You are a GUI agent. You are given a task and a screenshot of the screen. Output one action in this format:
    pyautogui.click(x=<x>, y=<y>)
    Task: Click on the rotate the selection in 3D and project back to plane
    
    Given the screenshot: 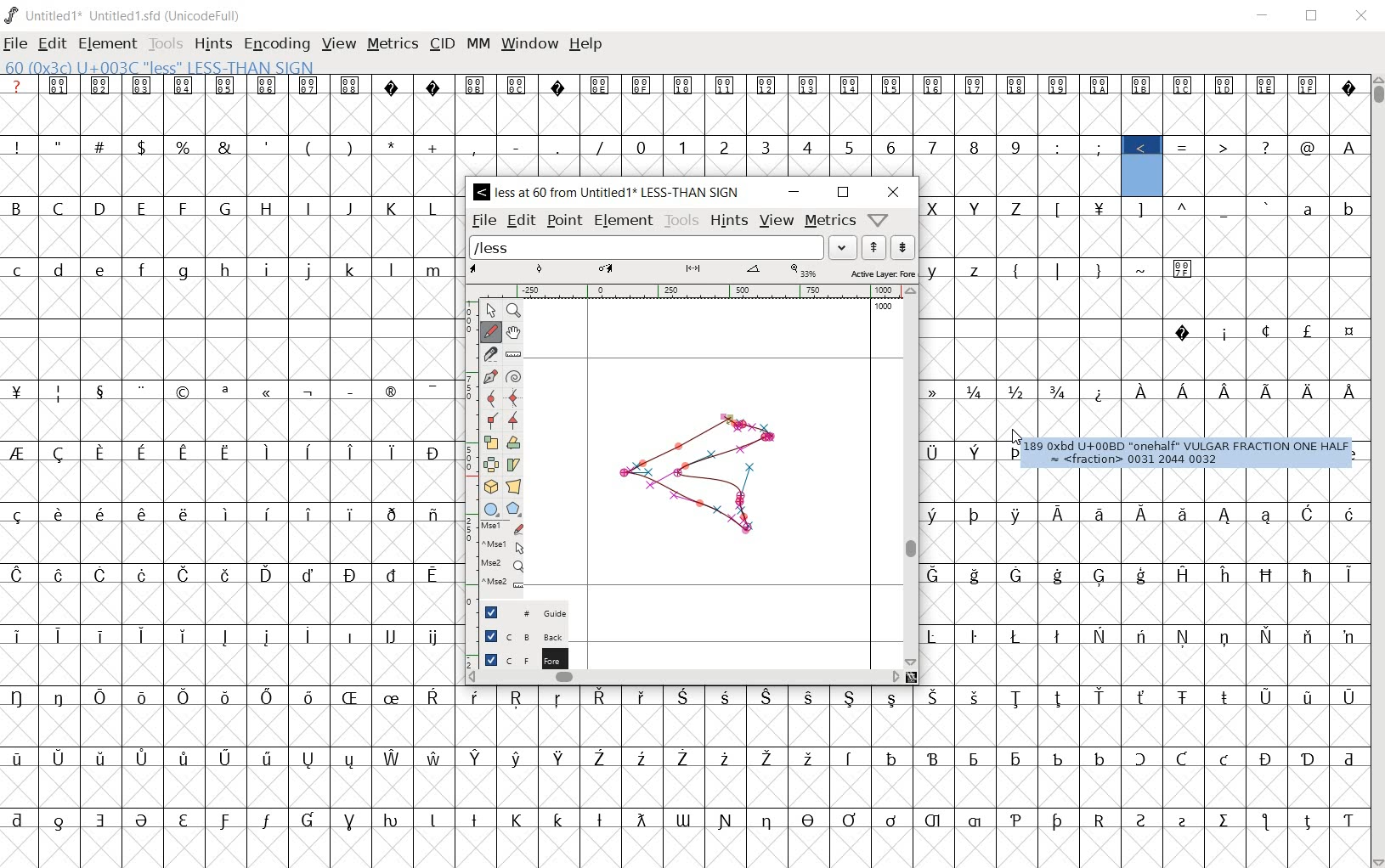 What is the action you would take?
    pyautogui.click(x=490, y=487)
    